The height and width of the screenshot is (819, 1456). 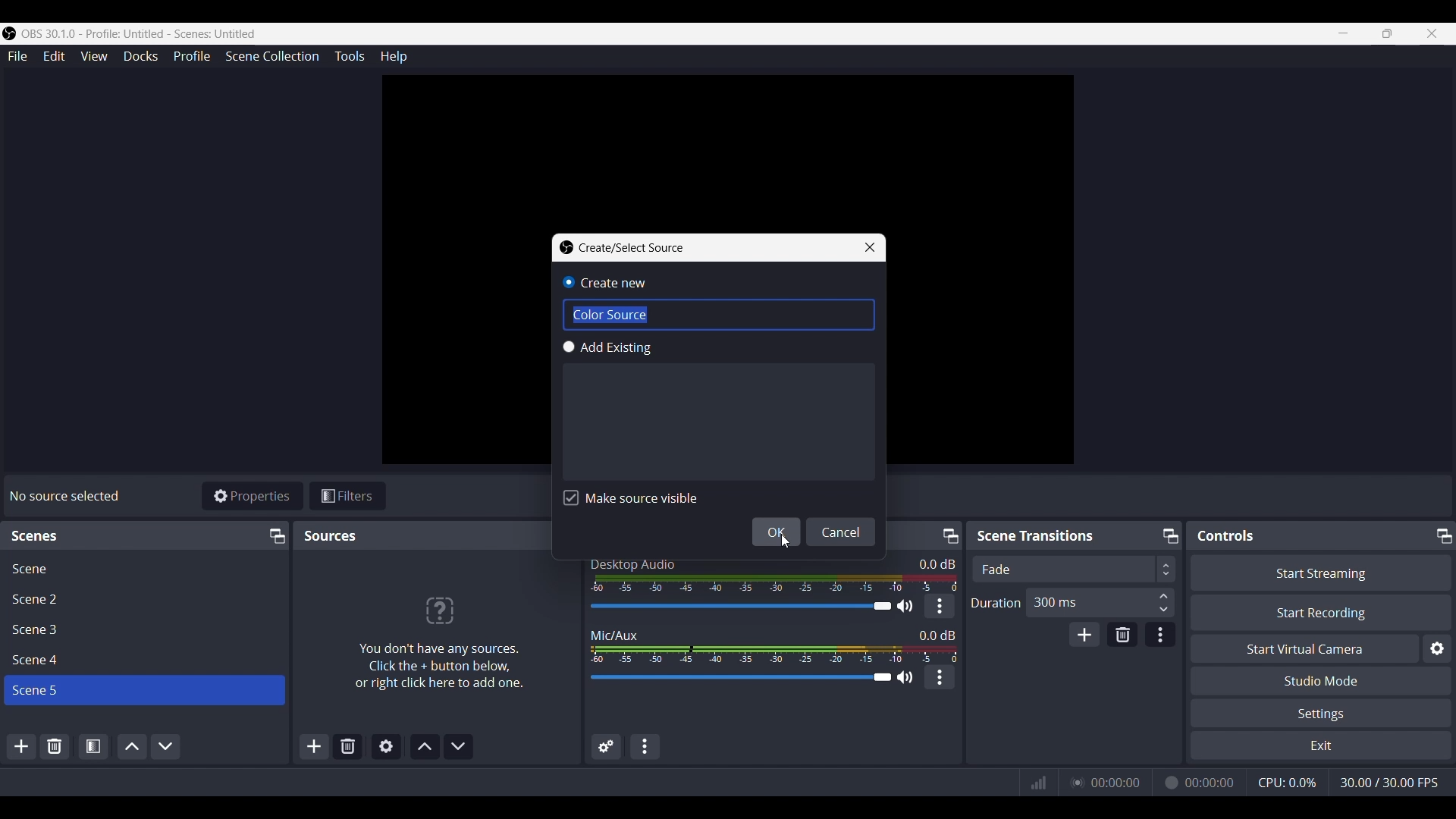 What do you see at coordinates (1037, 536) in the screenshot?
I see `Text` at bounding box center [1037, 536].